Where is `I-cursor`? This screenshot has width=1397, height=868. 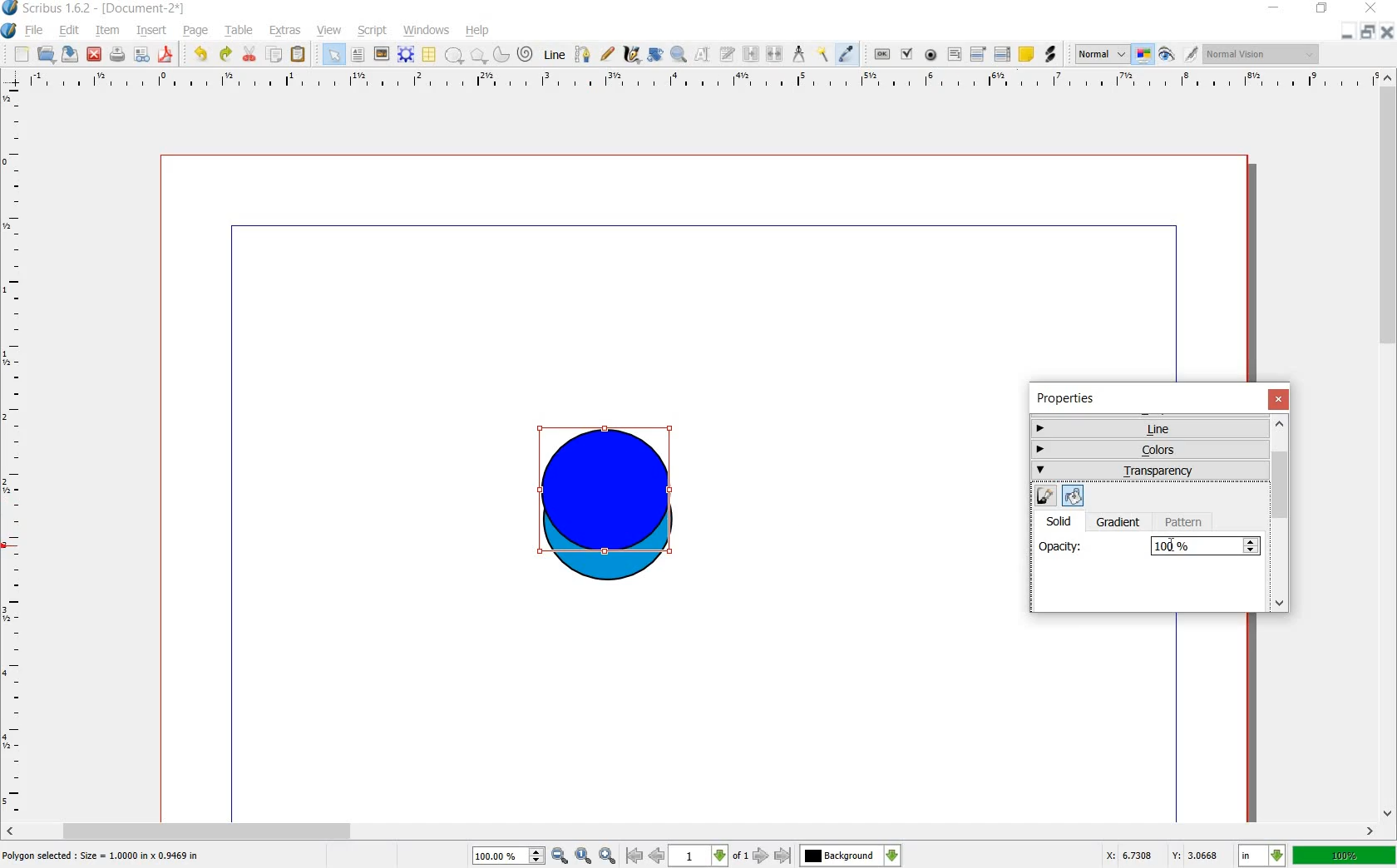
I-cursor is located at coordinates (1175, 547).